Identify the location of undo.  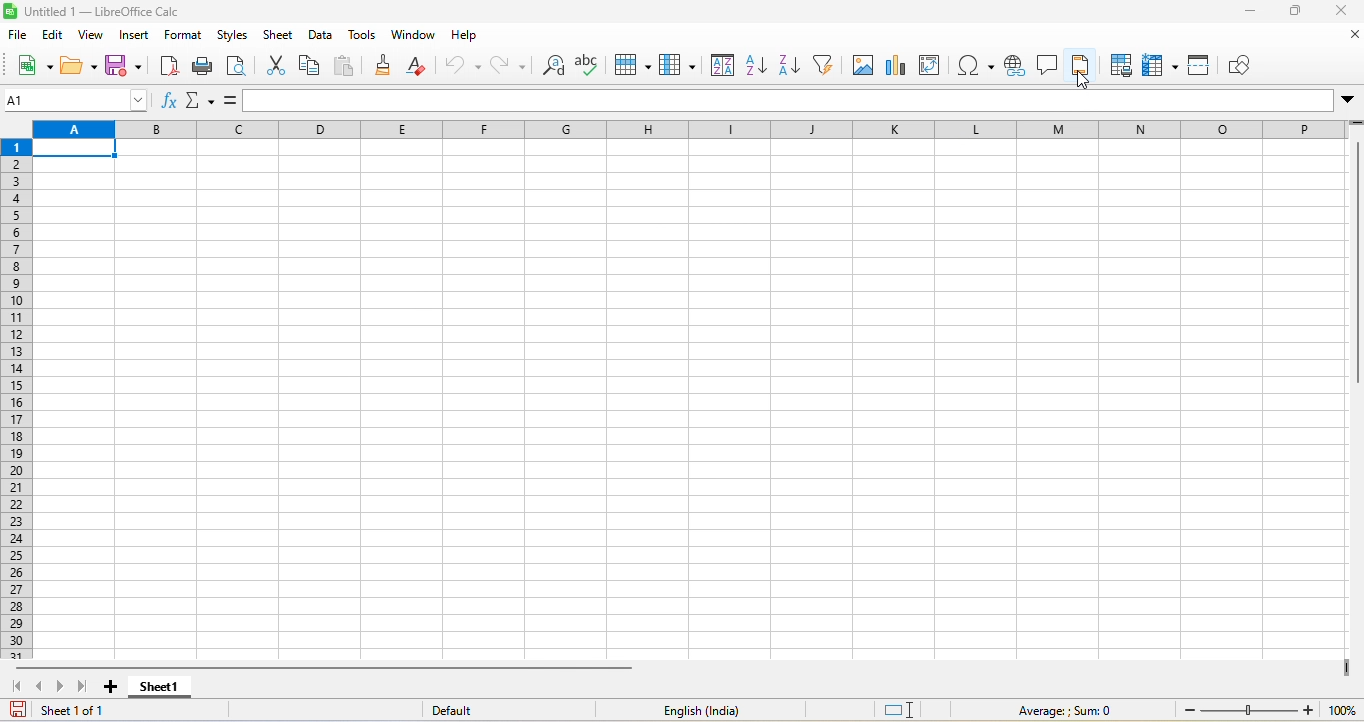
(461, 65).